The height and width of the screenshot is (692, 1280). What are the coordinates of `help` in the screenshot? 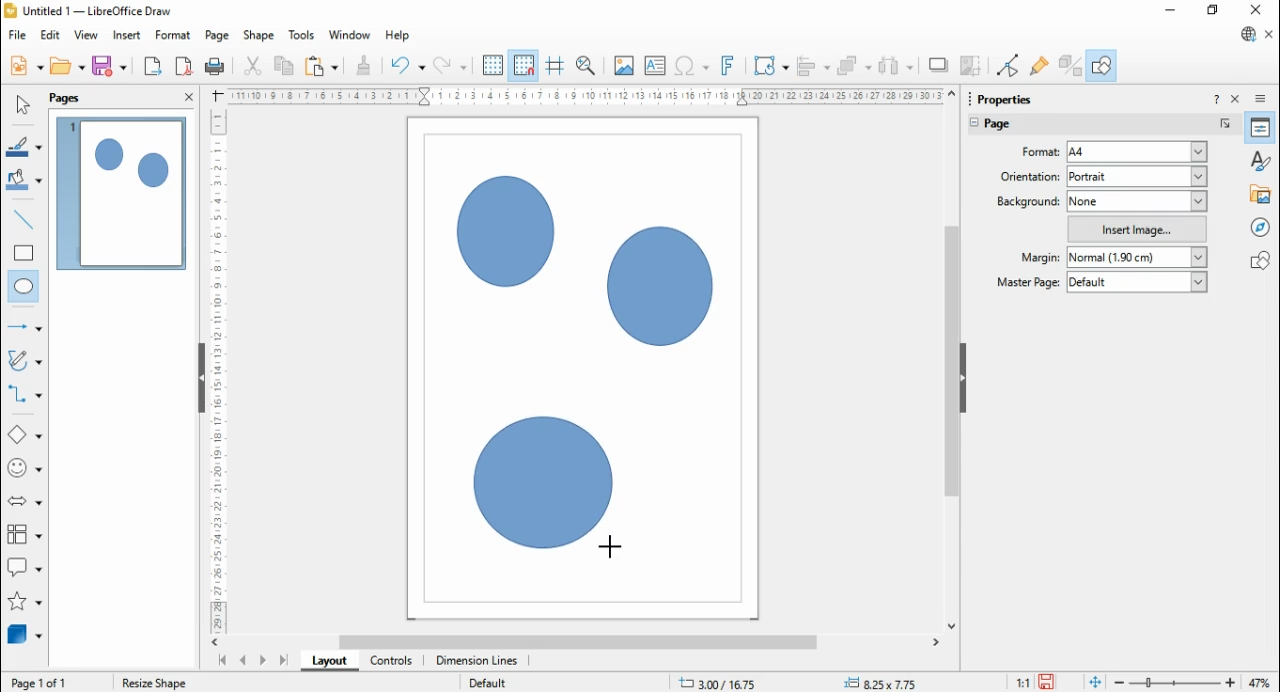 It's located at (398, 36).